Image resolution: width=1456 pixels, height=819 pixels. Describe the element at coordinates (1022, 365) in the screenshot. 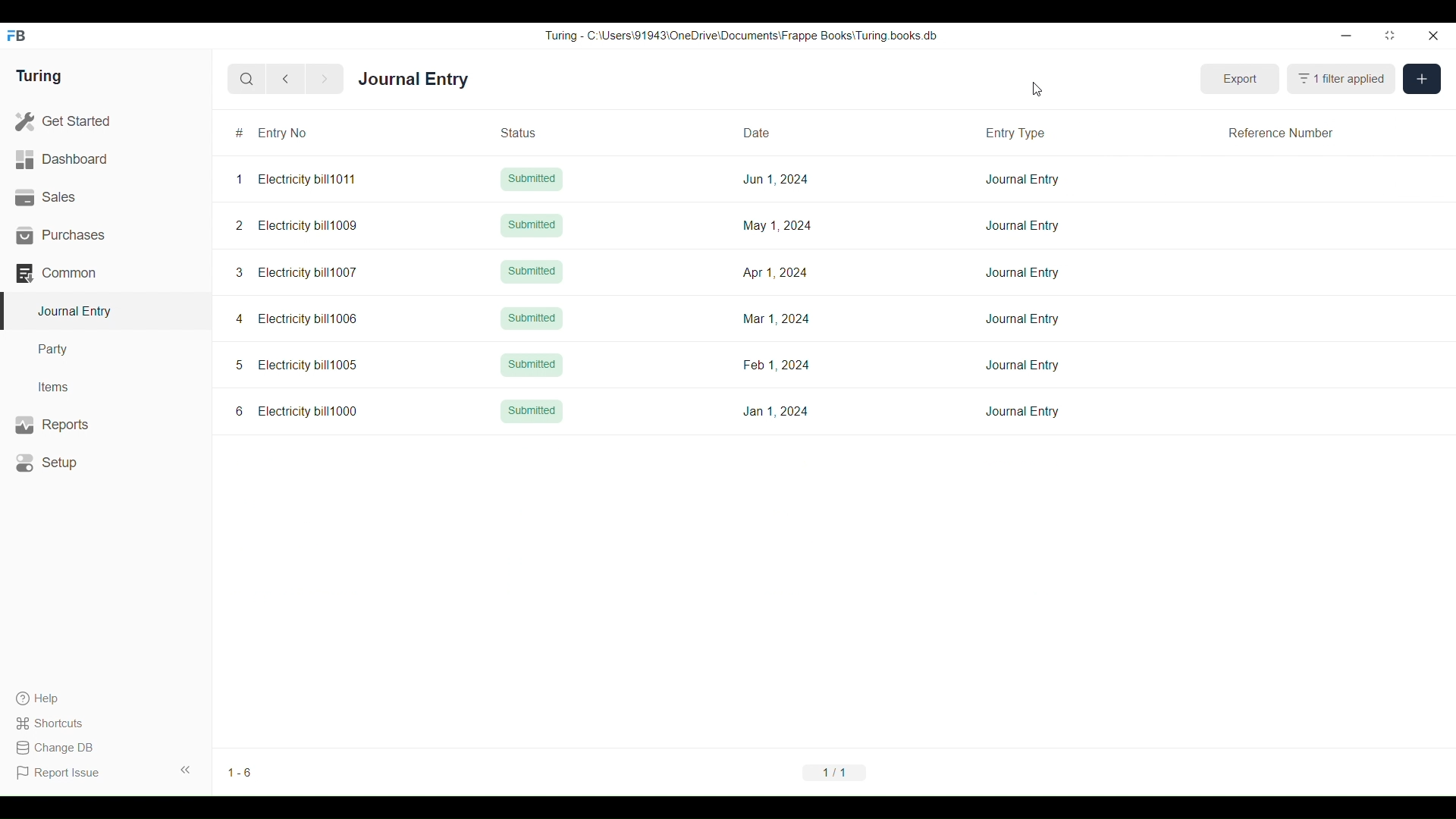

I see `Journal Entry` at that location.